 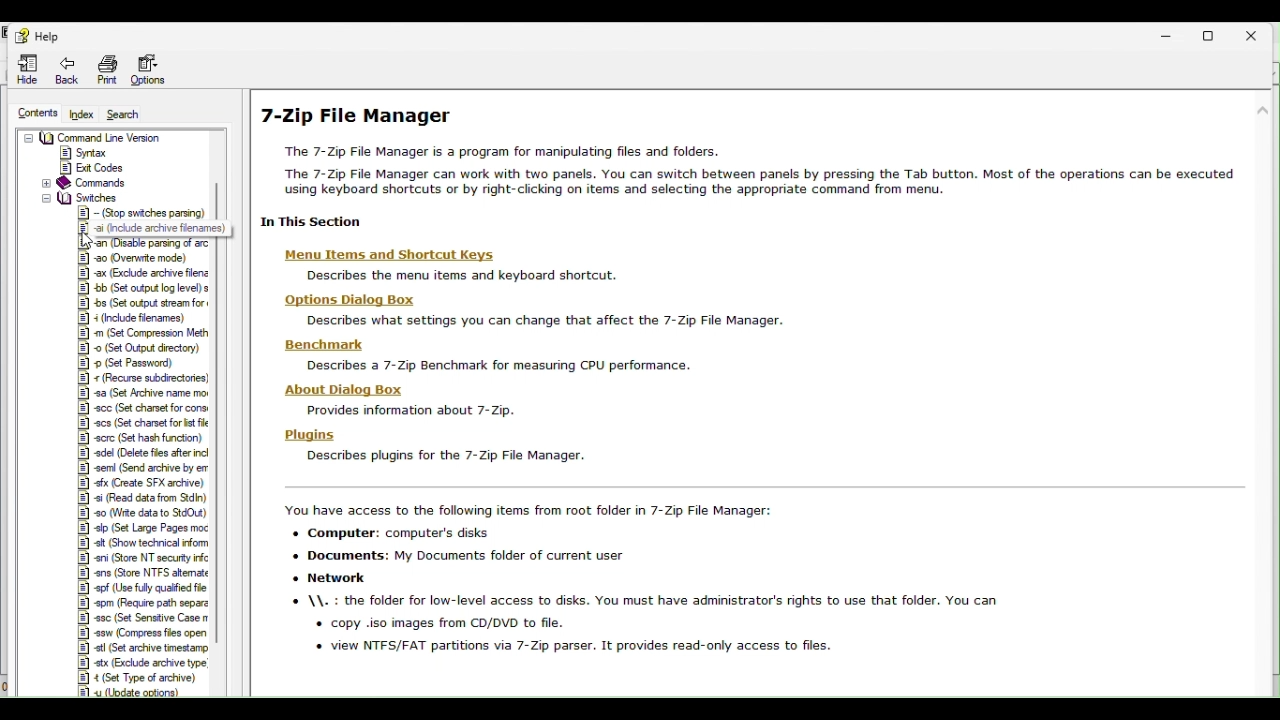 I want to click on | Benchmark, so click(x=329, y=346).